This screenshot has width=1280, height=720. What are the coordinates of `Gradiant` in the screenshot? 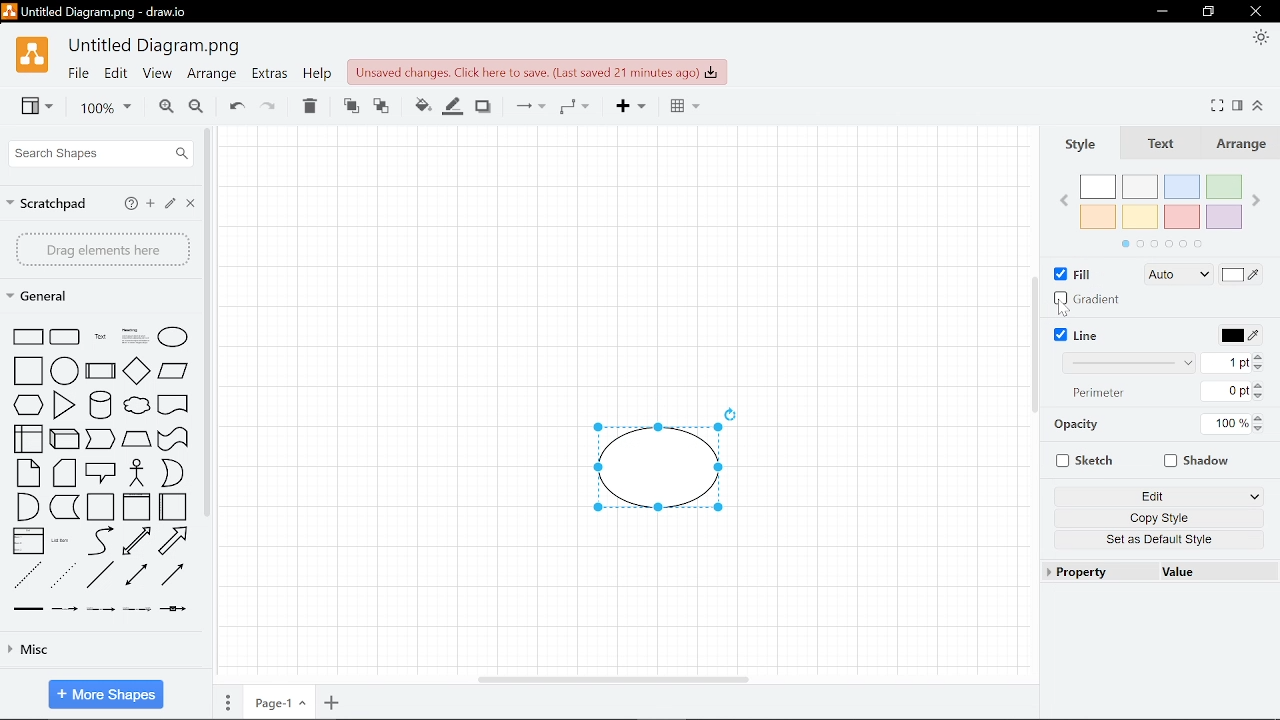 It's located at (1085, 300).